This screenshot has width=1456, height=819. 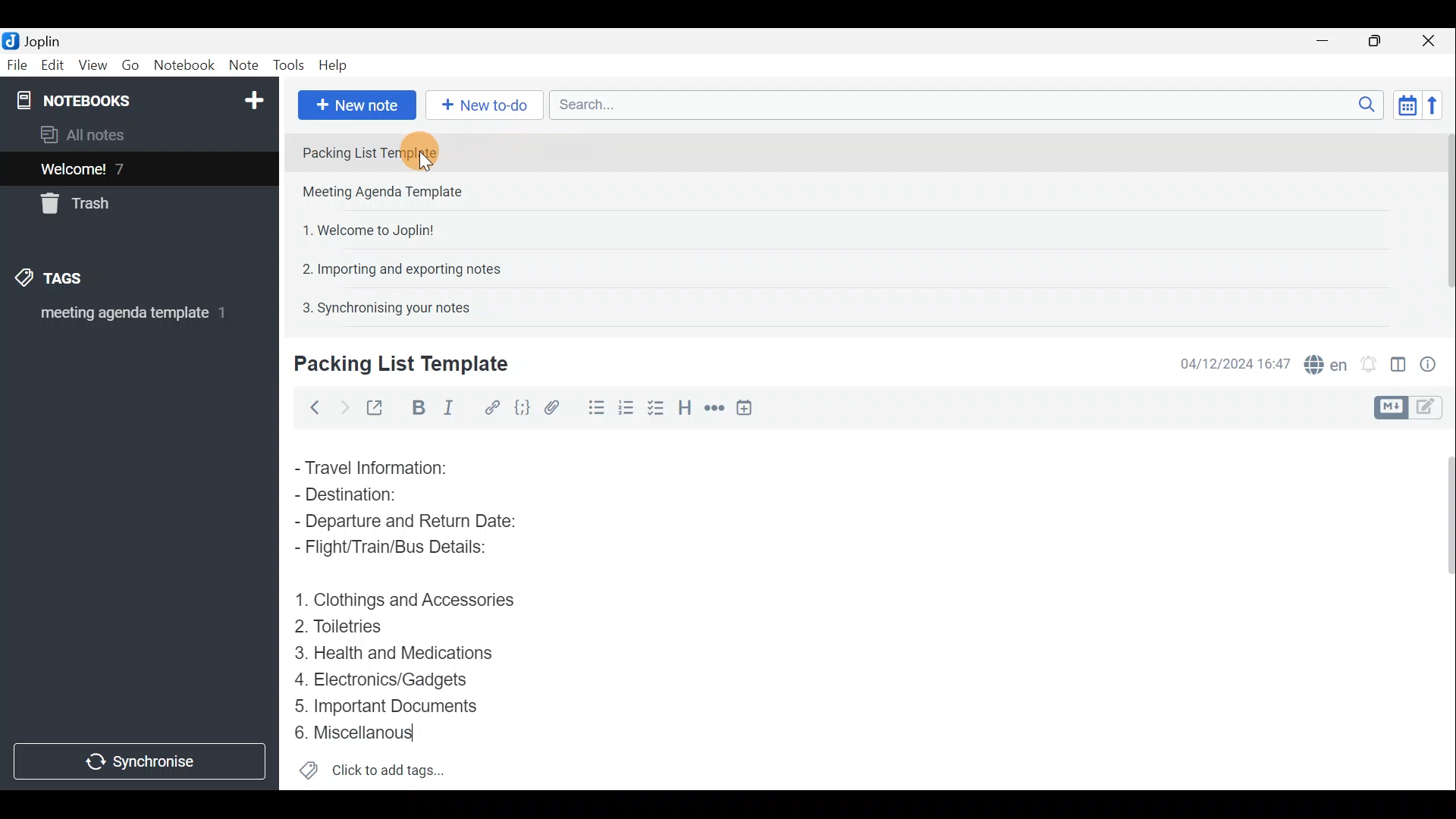 What do you see at coordinates (74, 281) in the screenshot?
I see `Tags` at bounding box center [74, 281].